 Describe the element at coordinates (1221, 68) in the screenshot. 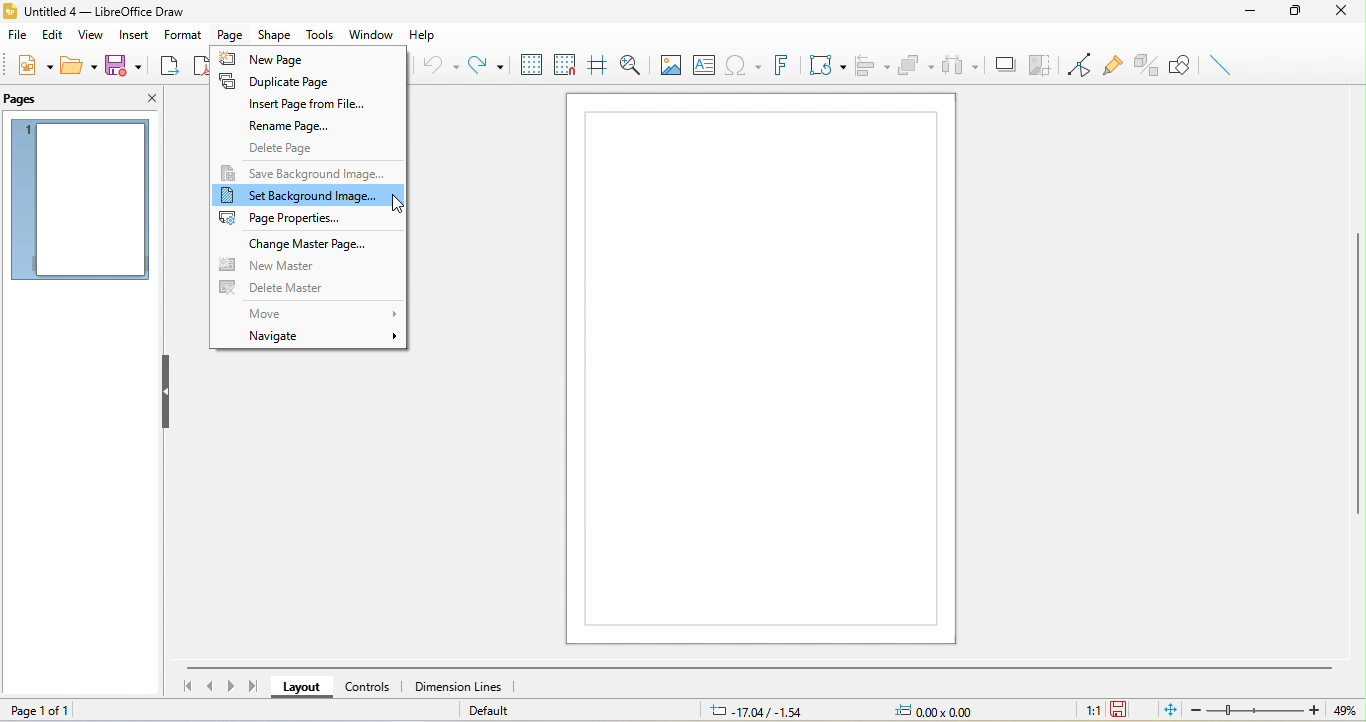

I see `insert line` at that location.